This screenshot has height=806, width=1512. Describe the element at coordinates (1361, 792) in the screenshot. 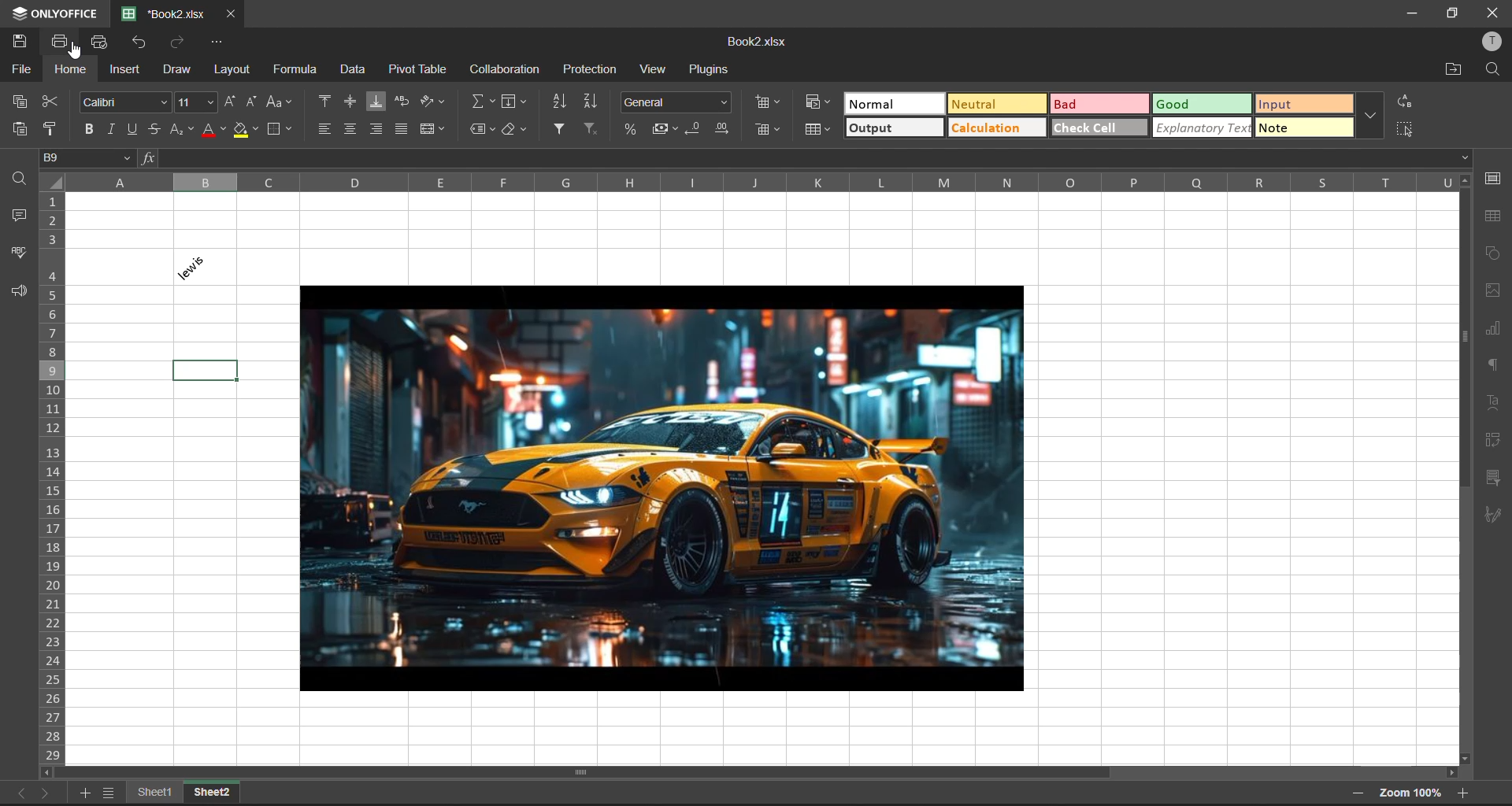

I see `zoom out` at that location.